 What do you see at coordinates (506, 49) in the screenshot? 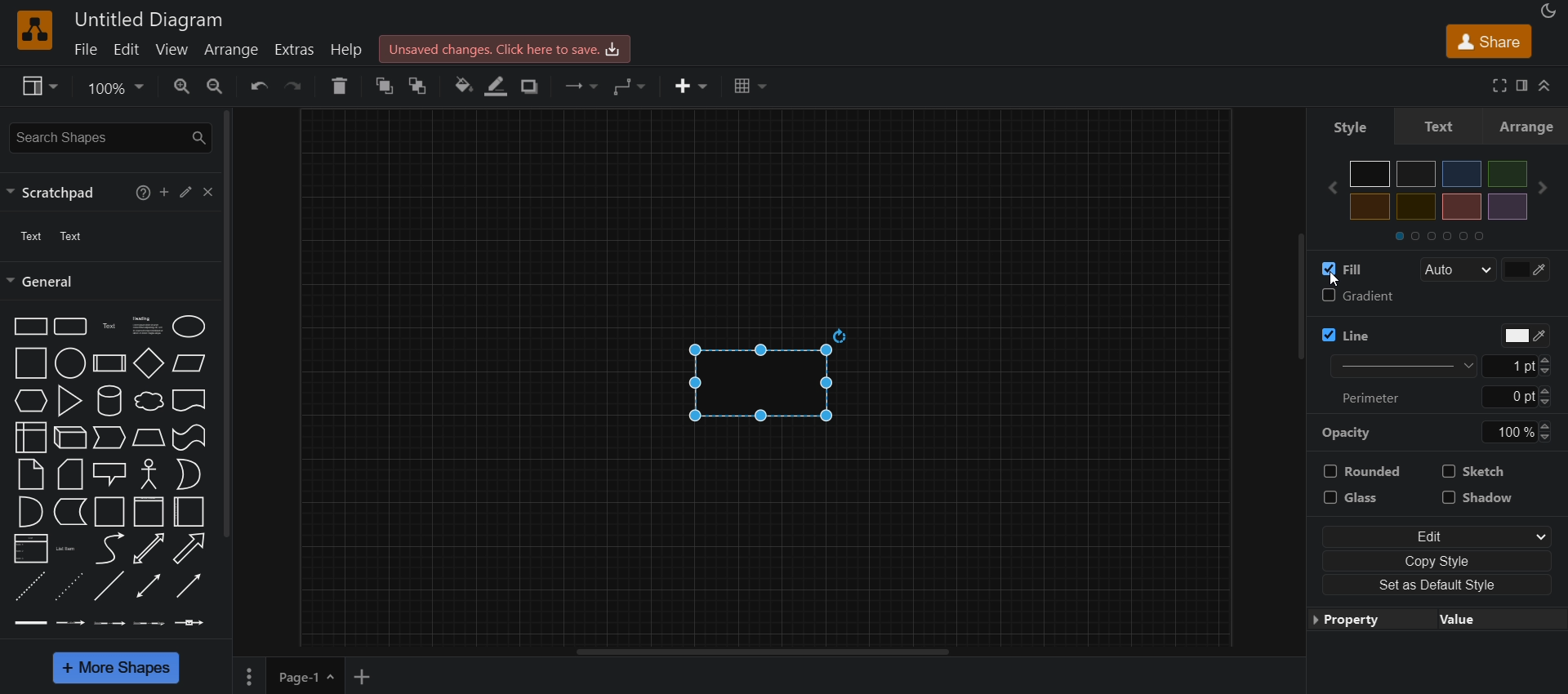
I see `click here here to save` at bounding box center [506, 49].